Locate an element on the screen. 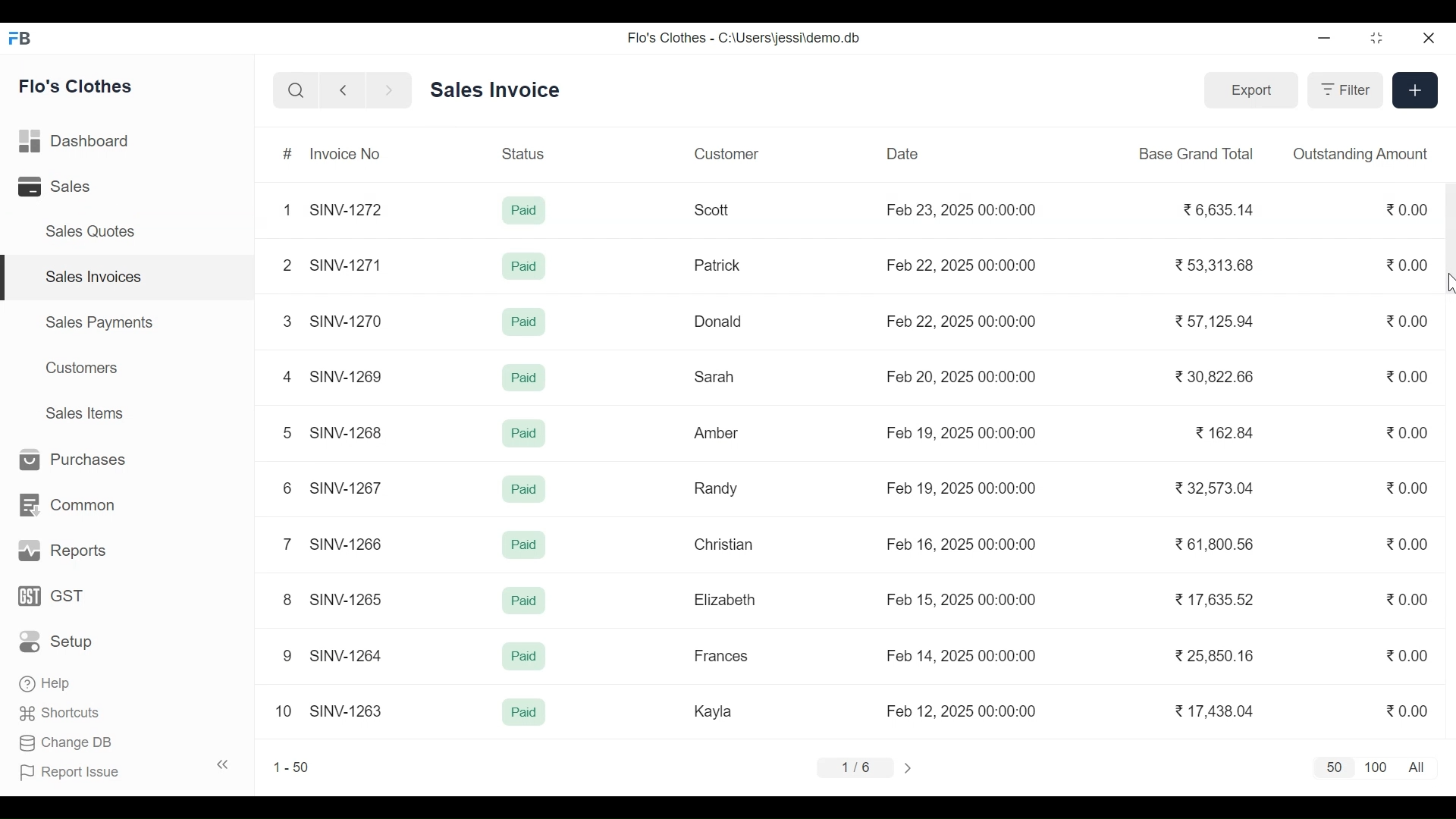 Image resolution: width=1456 pixels, height=819 pixels. 0.00 is located at coordinates (1412, 711).